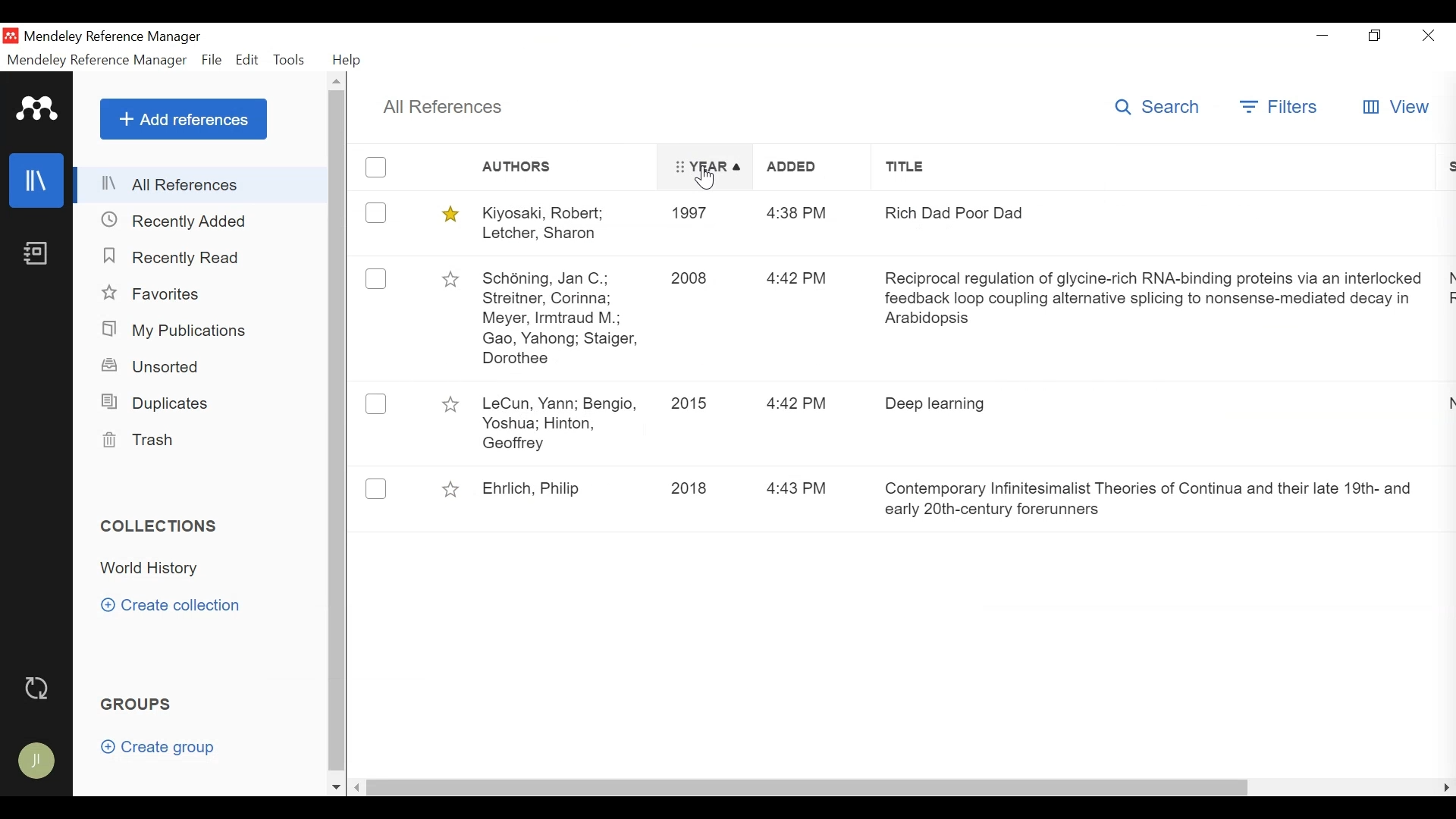 The image size is (1456, 819). I want to click on Deep learning, so click(950, 404).